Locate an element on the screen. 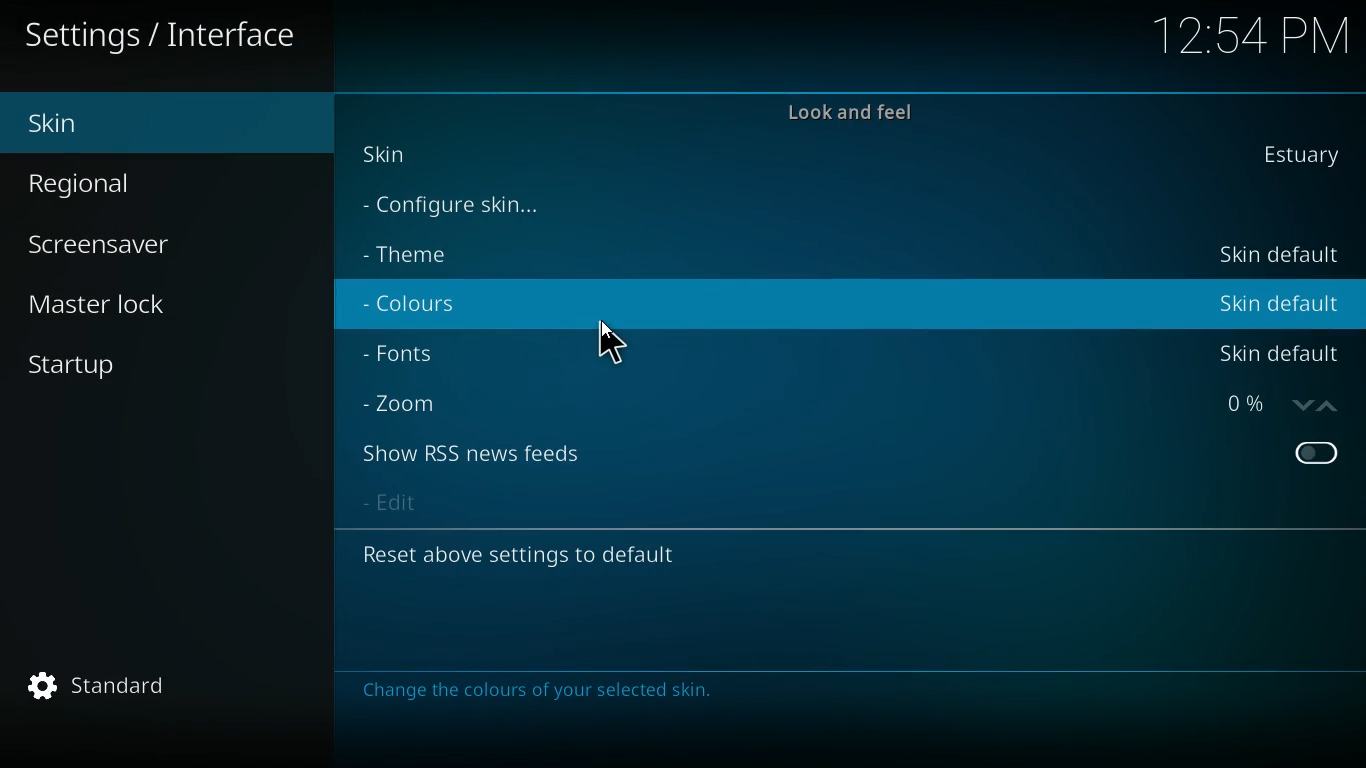  message is located at coordinates (541, 696).